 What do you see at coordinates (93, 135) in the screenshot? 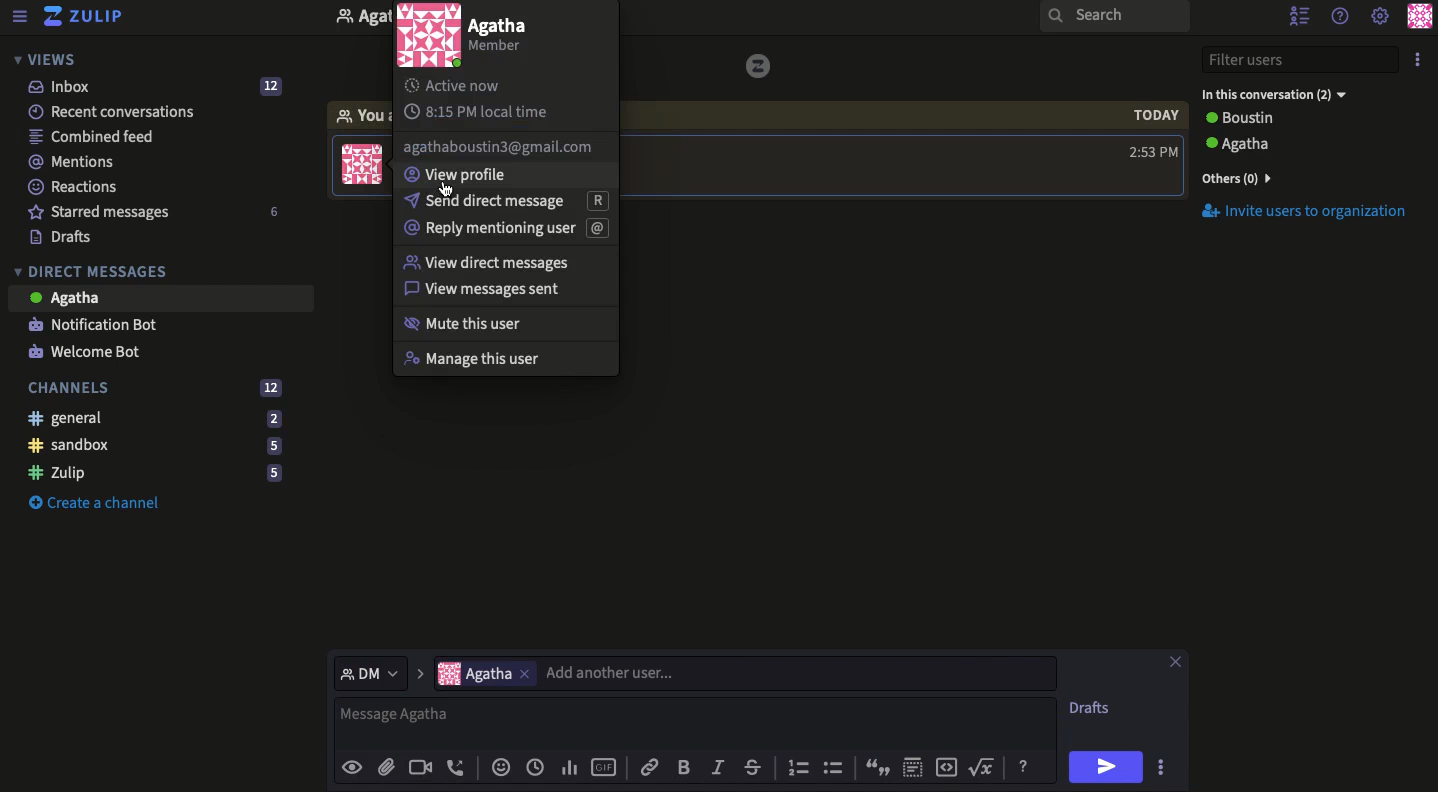
I see `Combined feed` at bounding box center [93, 135].